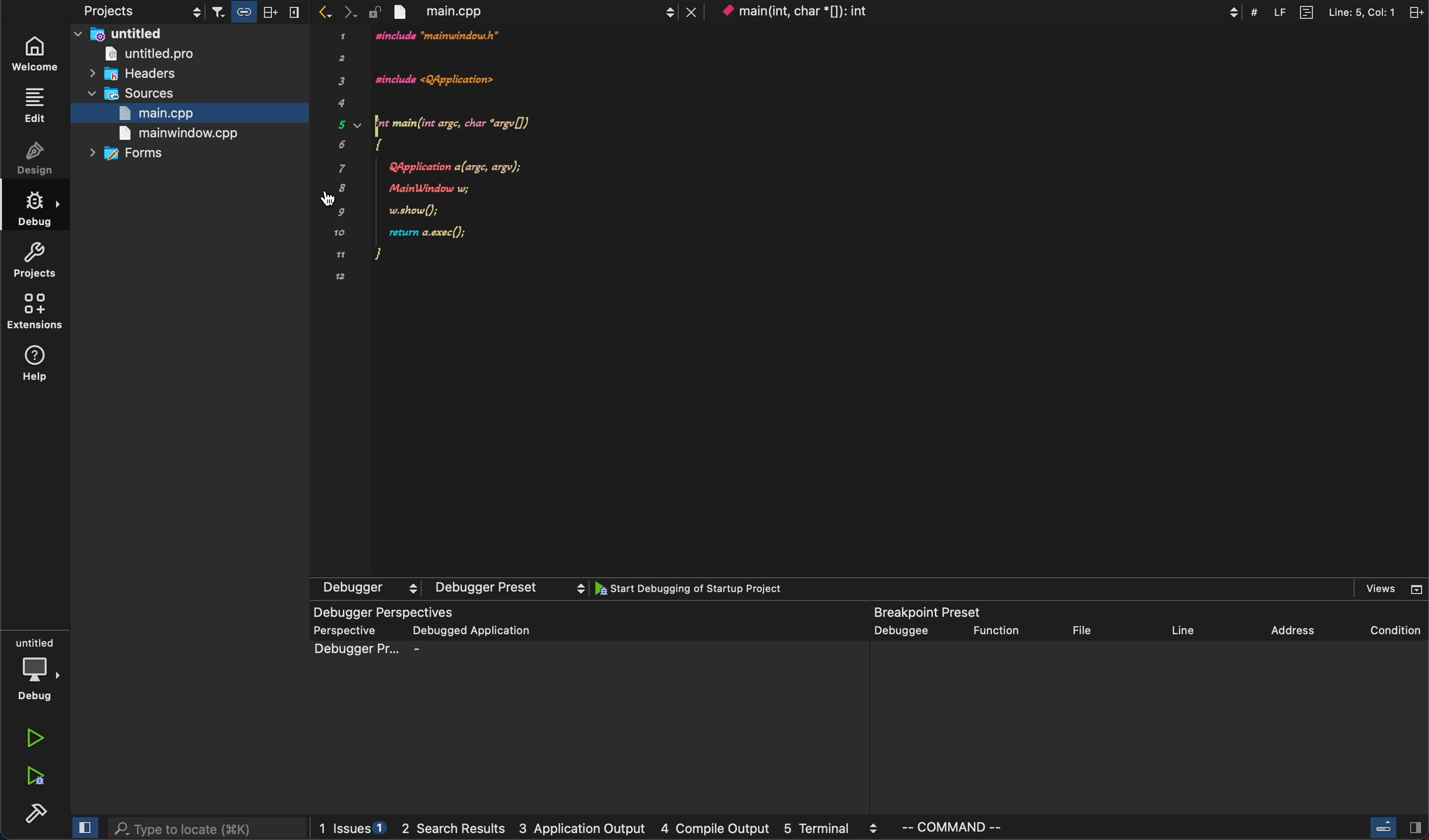  I want to click on command, so click(993, 828).